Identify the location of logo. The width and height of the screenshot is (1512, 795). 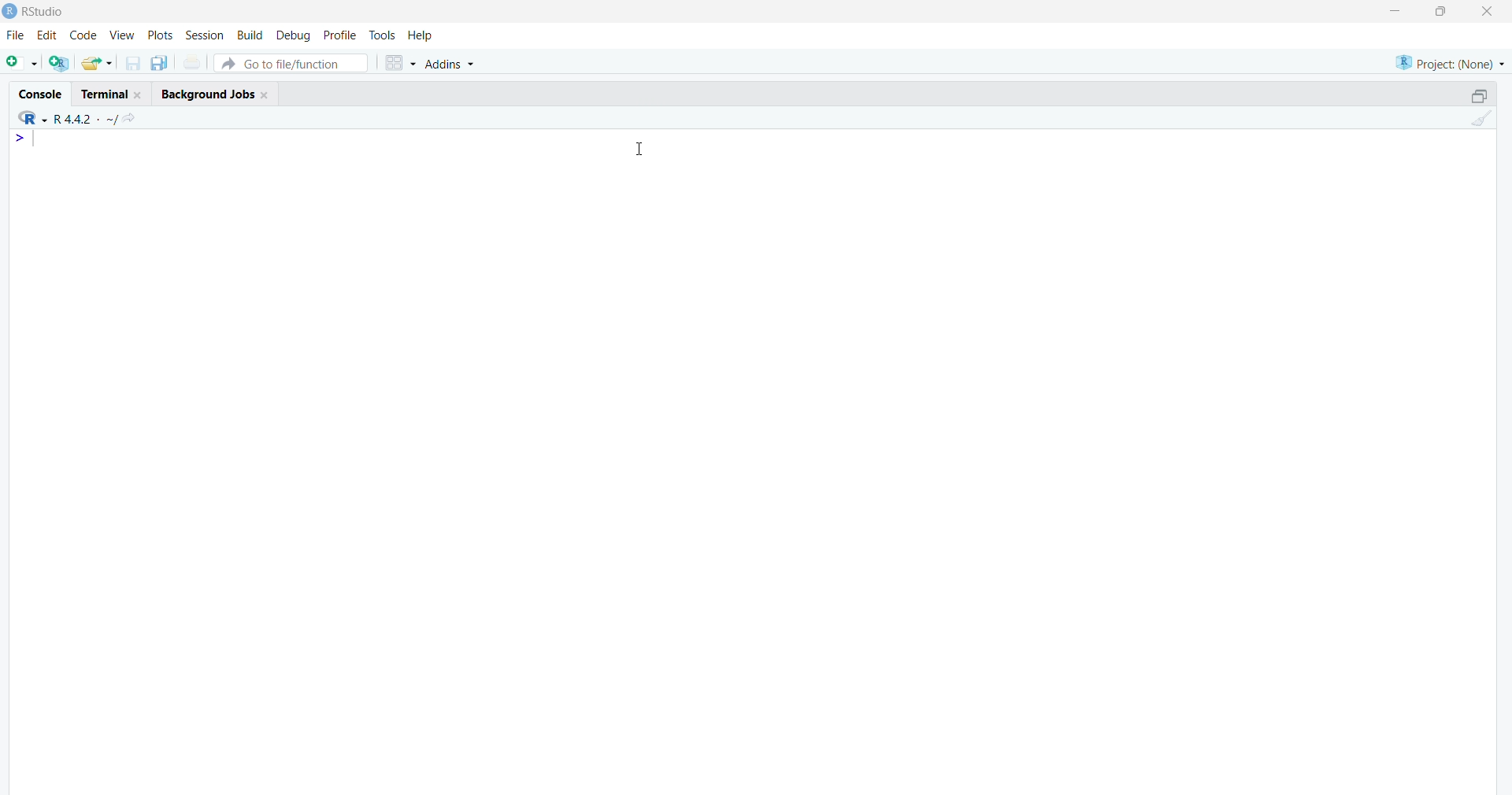
(10, 11).